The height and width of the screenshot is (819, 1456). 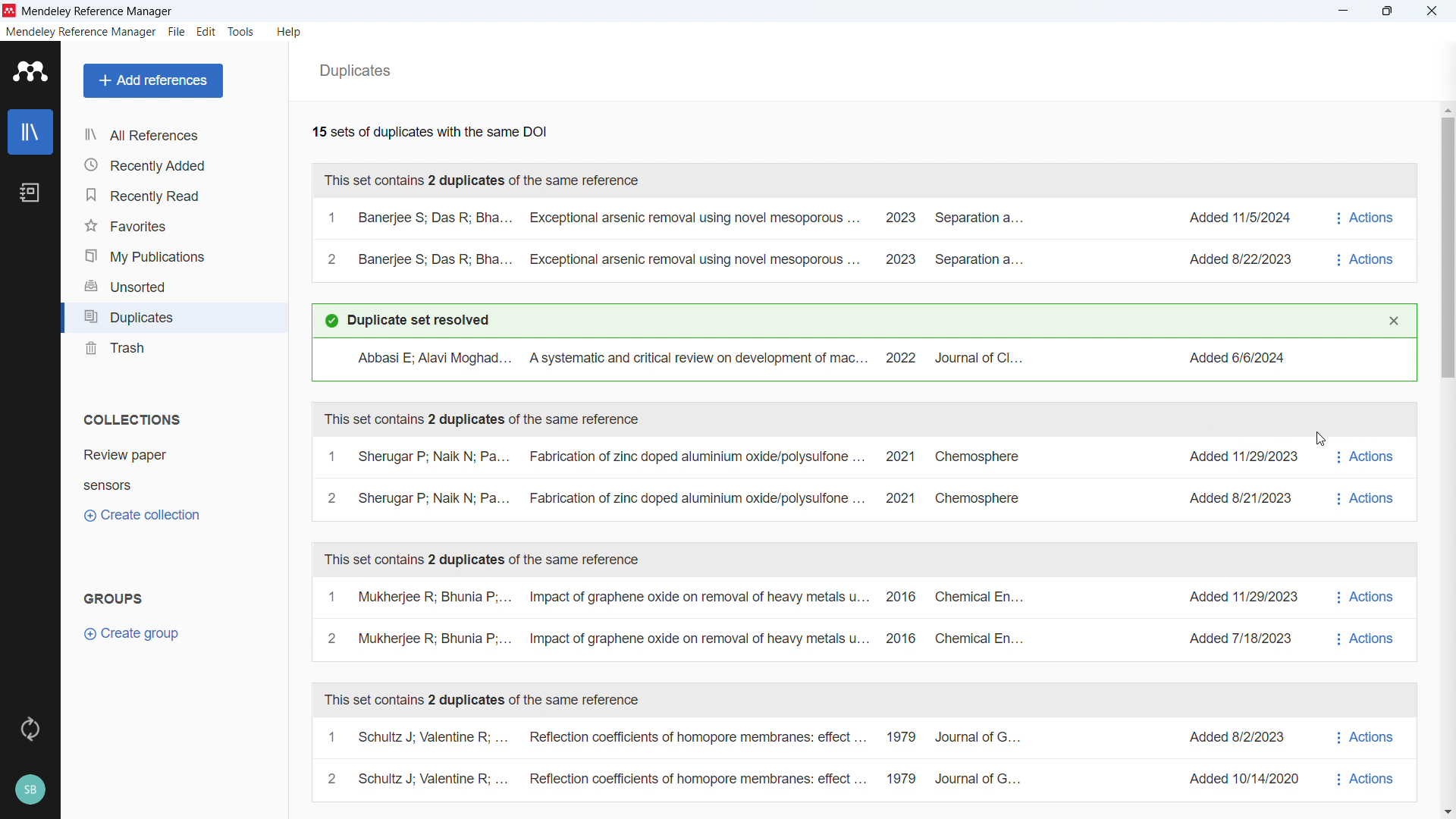 What do you see at coordinates (80, 32) in the screenshot?
I see `mendeley reference manager` at bounding box center [80, 32].